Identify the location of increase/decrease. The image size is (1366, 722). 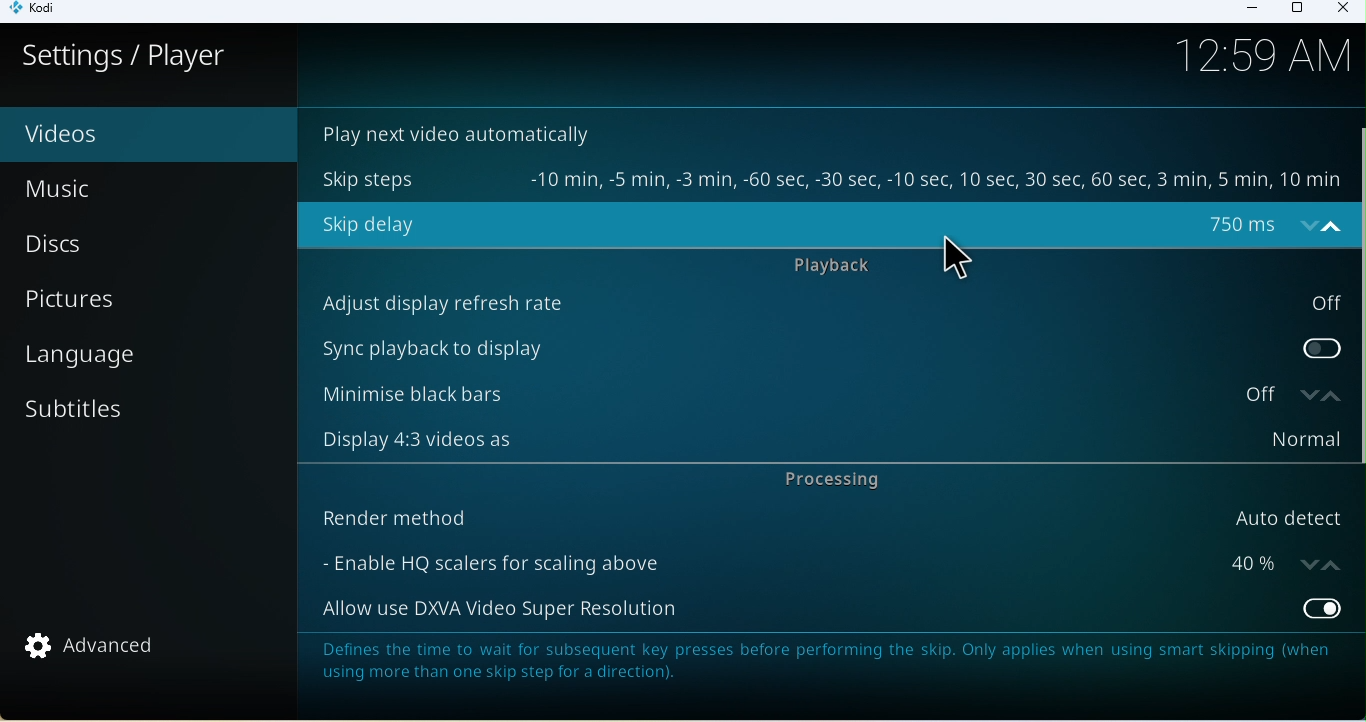
(1315, 226).